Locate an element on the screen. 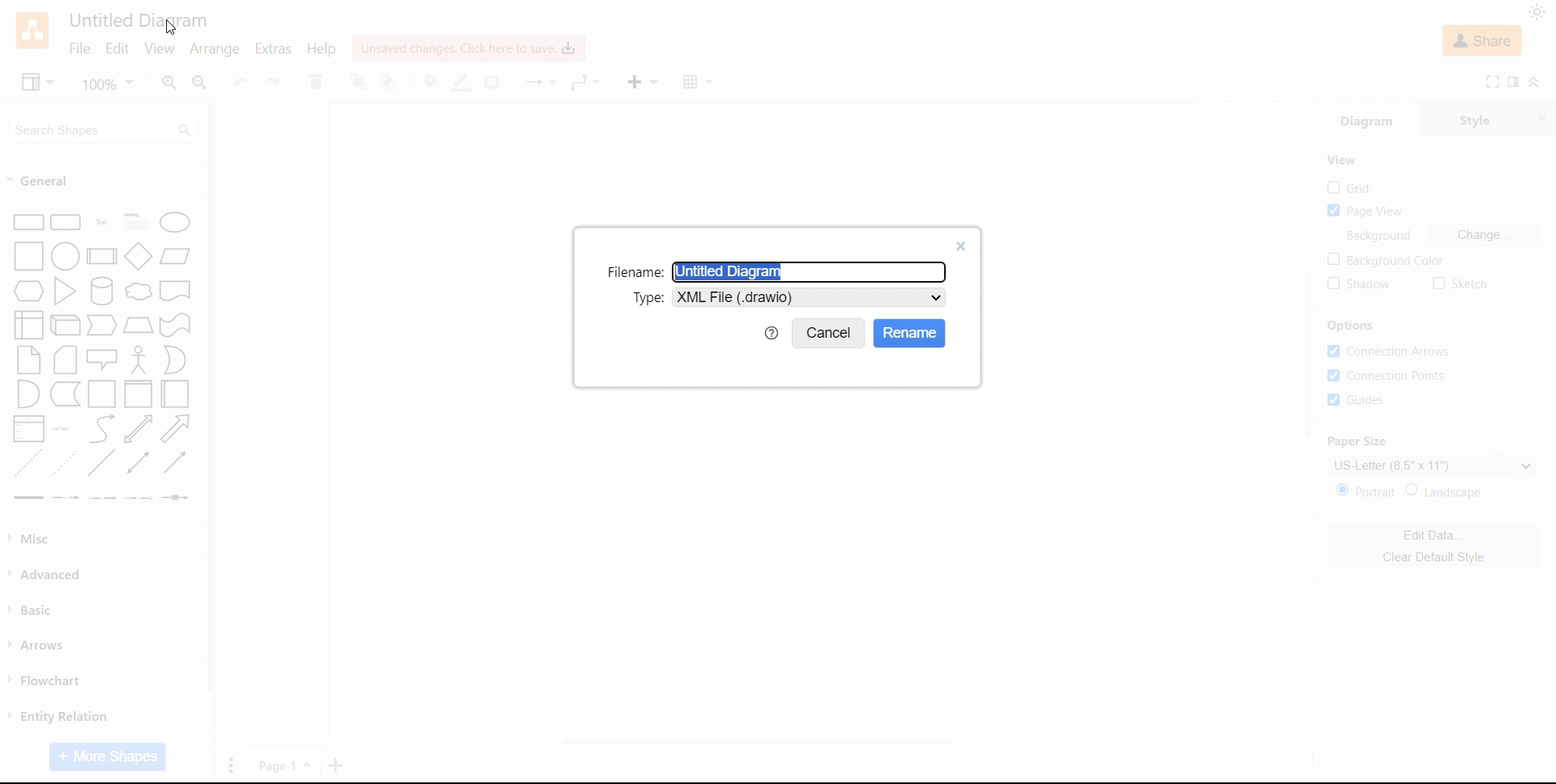 The height and width of the screenshot is (784, 1556). Shadow  is located at coordinates (1360, 284).